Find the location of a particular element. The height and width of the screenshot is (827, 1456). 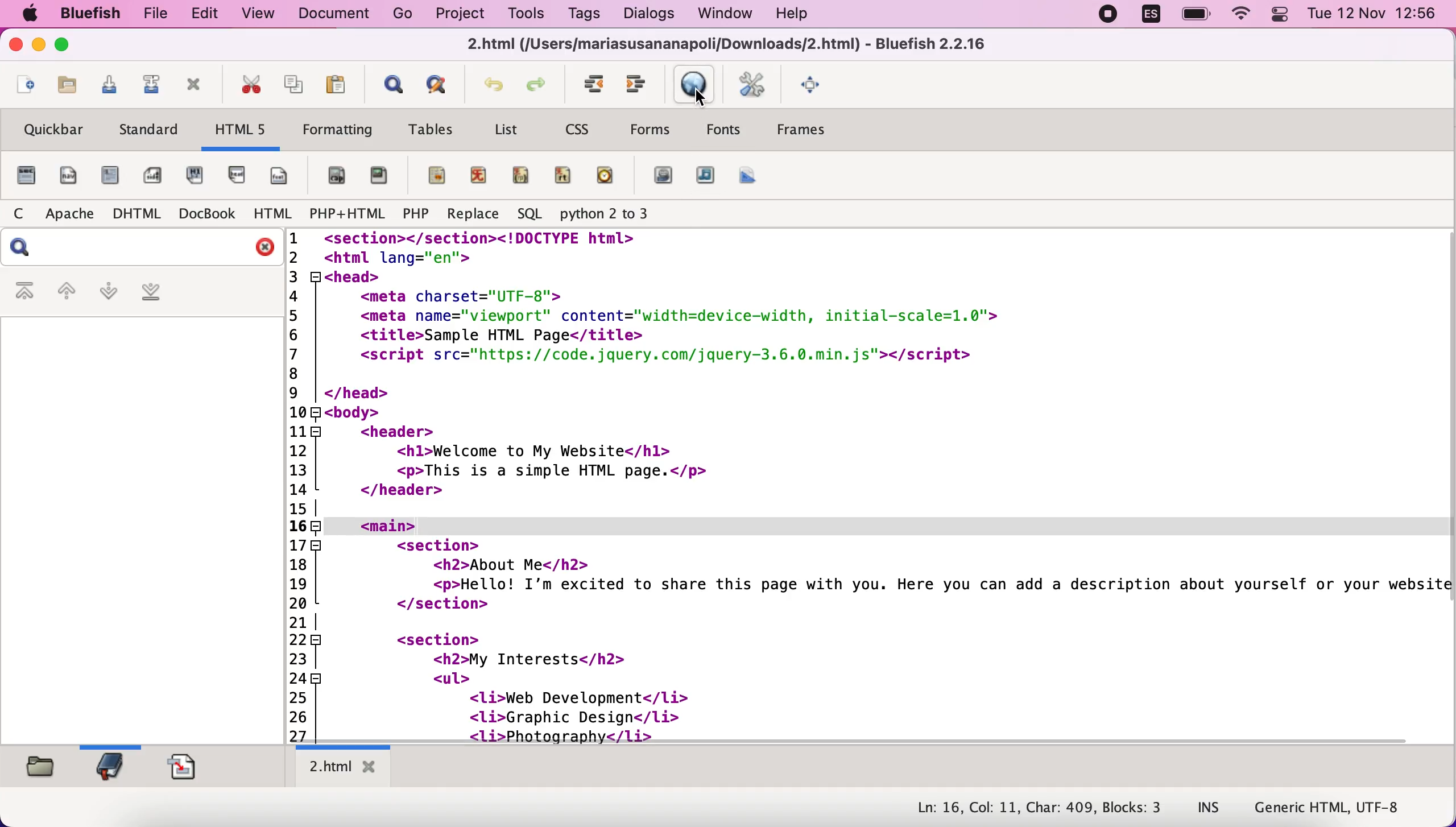

next bookmark is located at coordinates (108, 295).